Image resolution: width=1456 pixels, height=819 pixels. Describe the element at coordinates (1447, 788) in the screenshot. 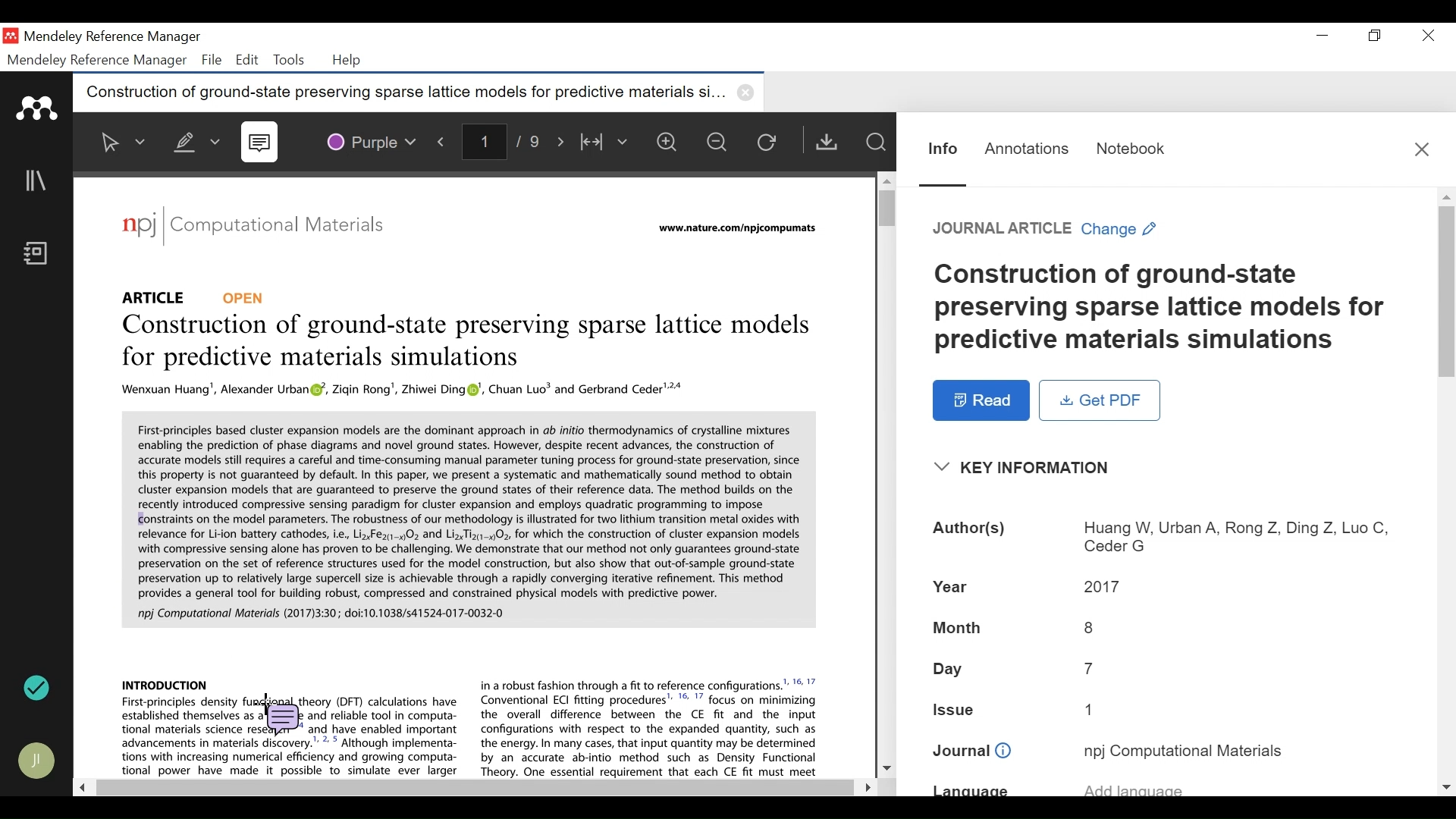

I see `Scroll down` at that location.